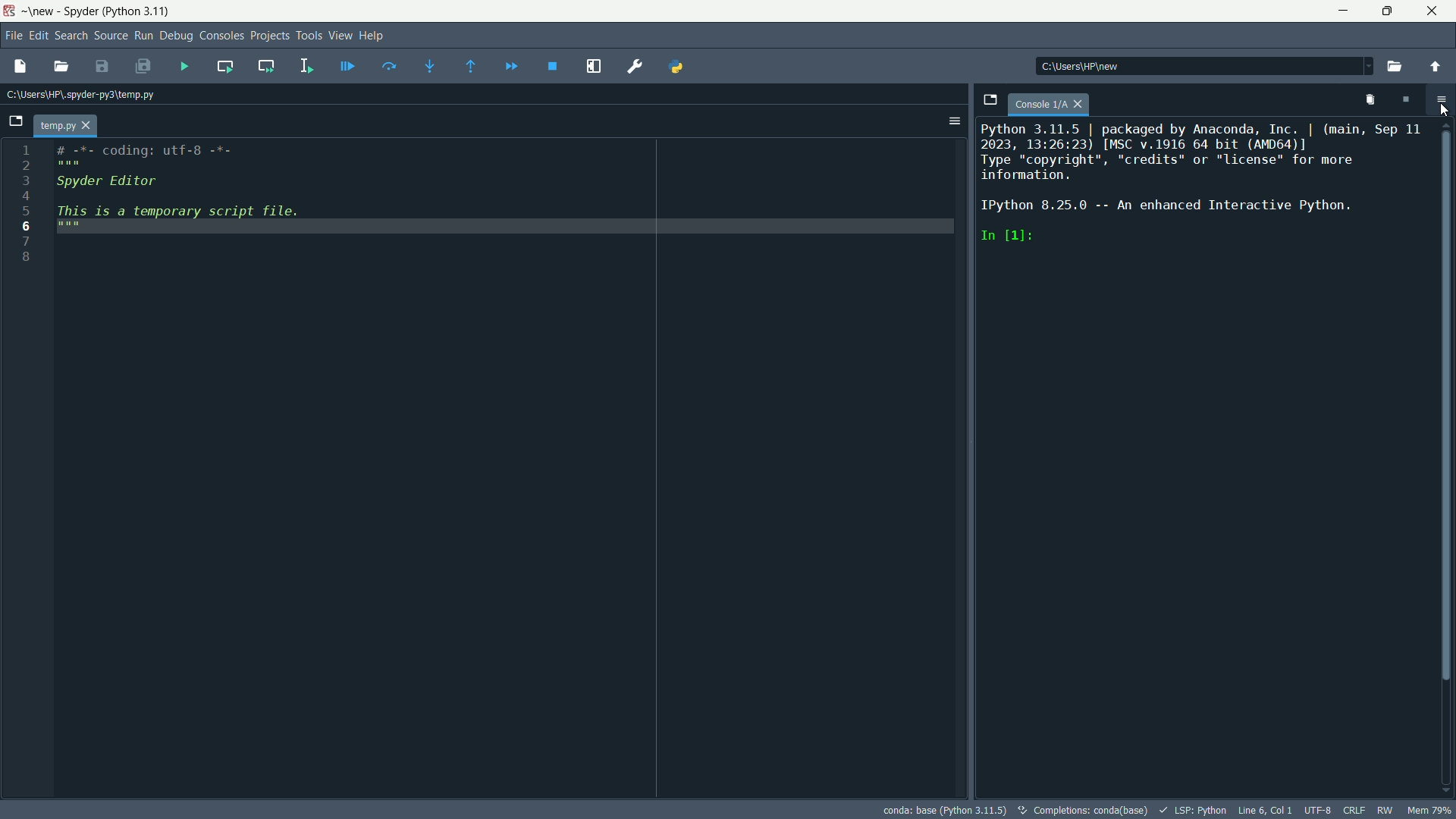  What do you see at coordinates (143, 35) in the screenshot?
I see `run menu` at bounding box center [143, 35].